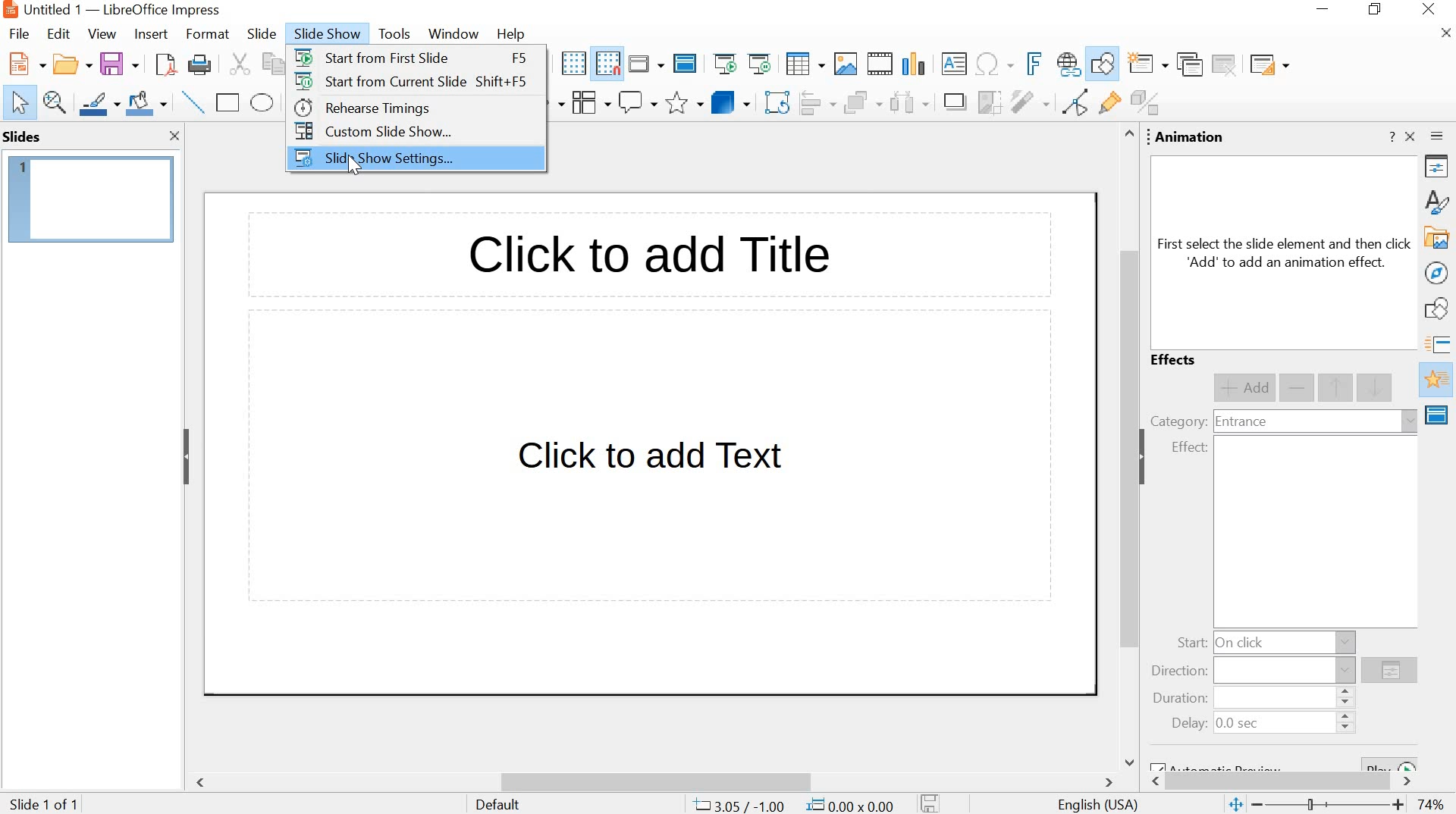 This screenshot has width=1456, height=814. What do you see at coordinates (1099, 806) in the screenshot?
I see `language` at bounding box center [1099, 806].